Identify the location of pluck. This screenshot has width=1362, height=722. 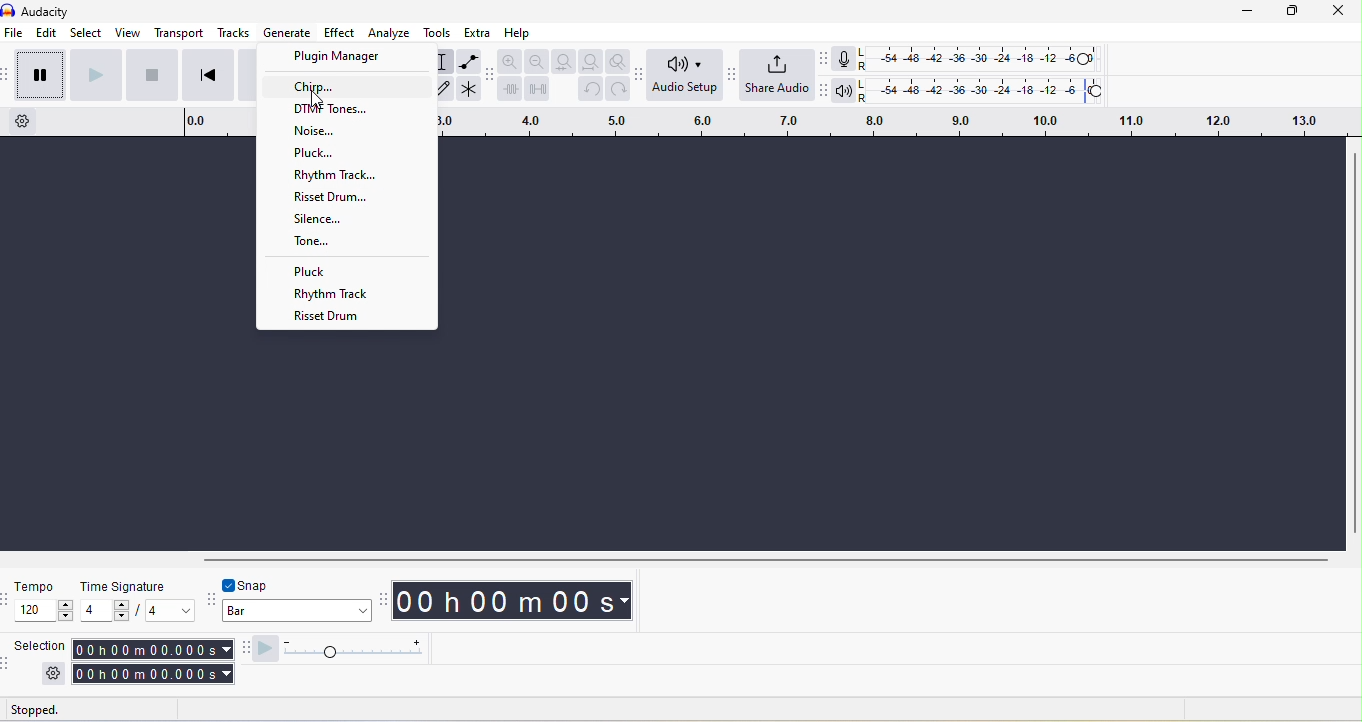
(315, 154).